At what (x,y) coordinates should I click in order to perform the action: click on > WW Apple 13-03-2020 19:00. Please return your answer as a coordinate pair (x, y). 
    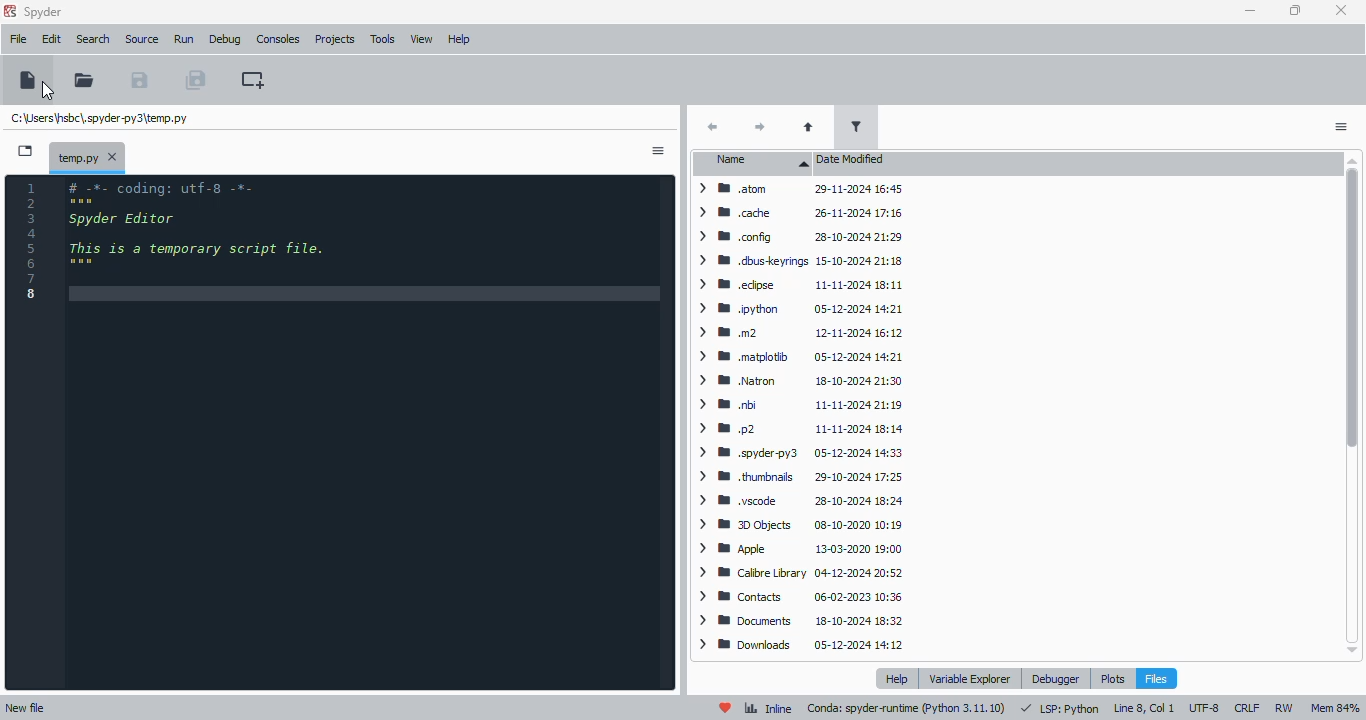
    Looking at the image, I should click on (797, 549).